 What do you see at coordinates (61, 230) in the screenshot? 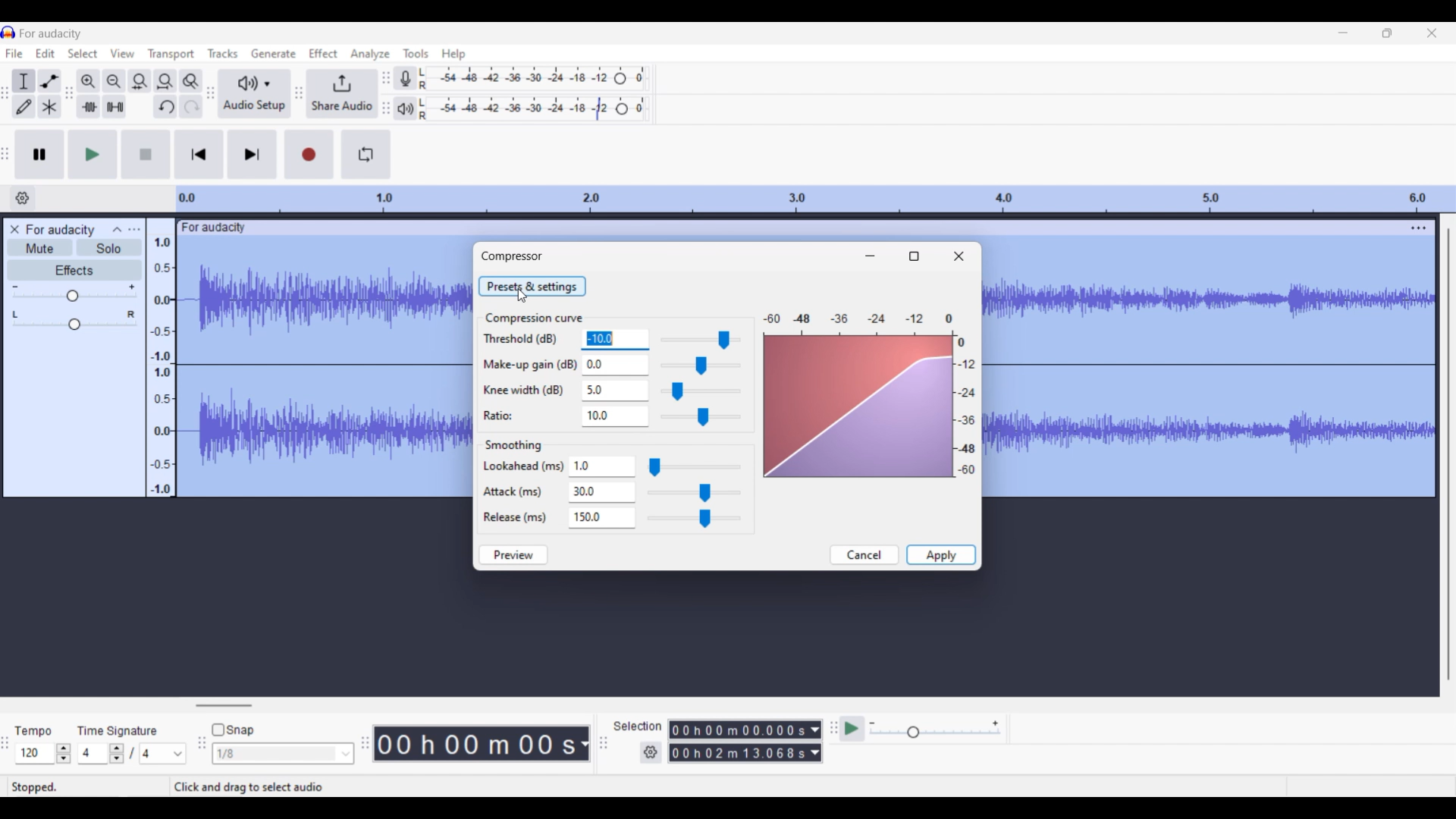
I see `For audacity` at bounding box center [61, 230].